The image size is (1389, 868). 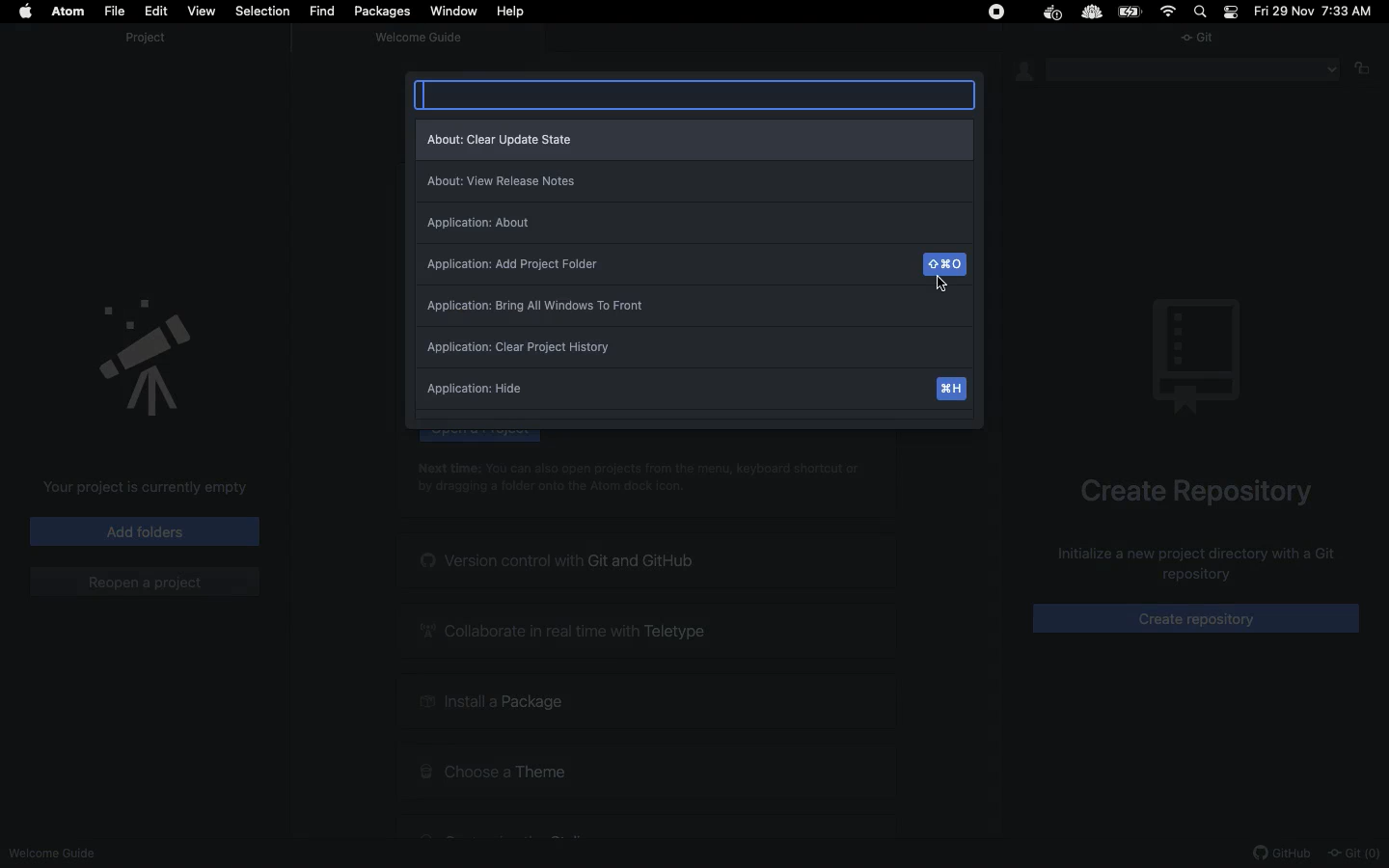 What do you see at coordinates (153, 12) in the screenshot?
I see `Edit` at bounding box center [153, 12].